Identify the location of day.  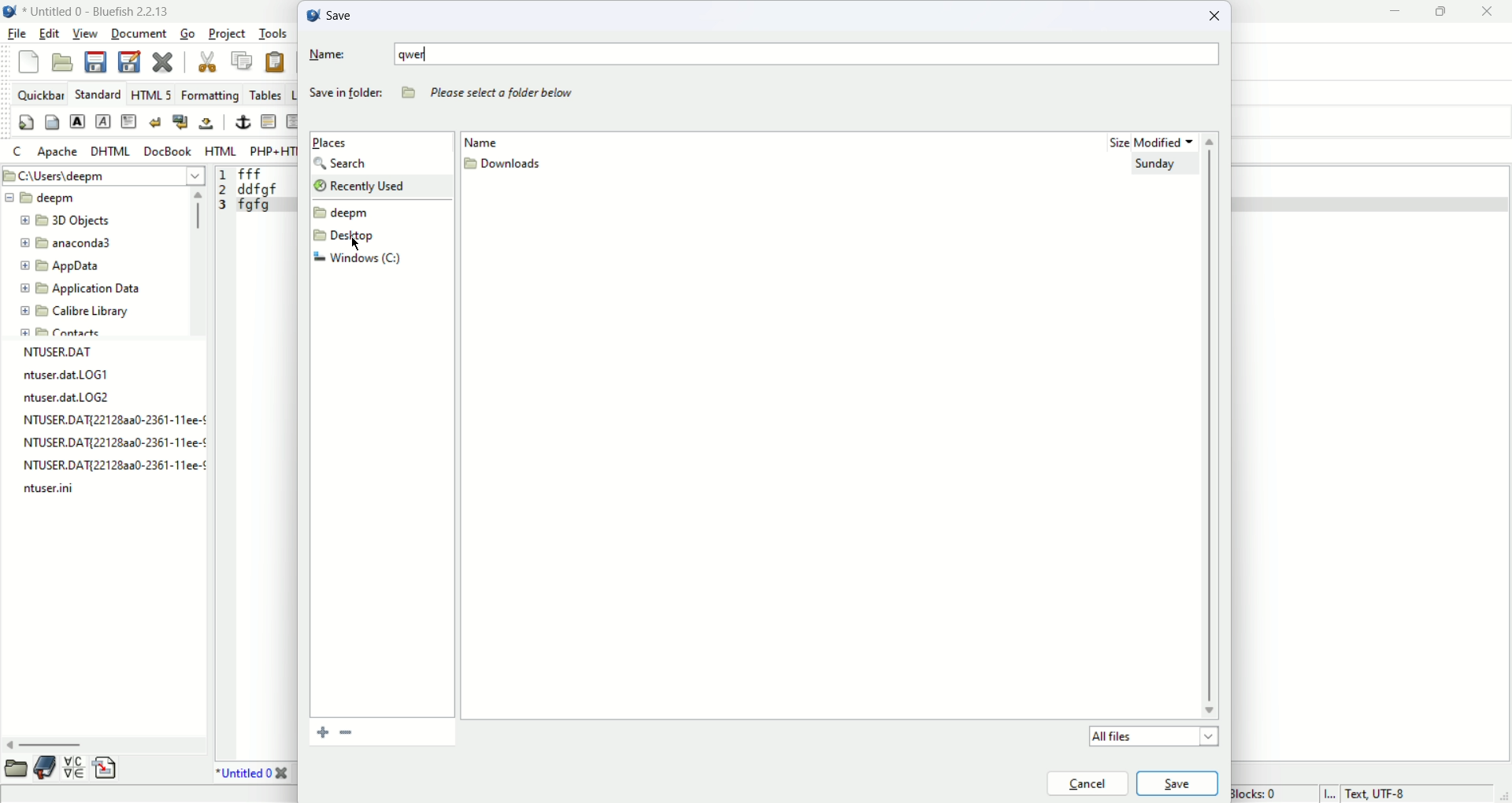
(1158, 168).